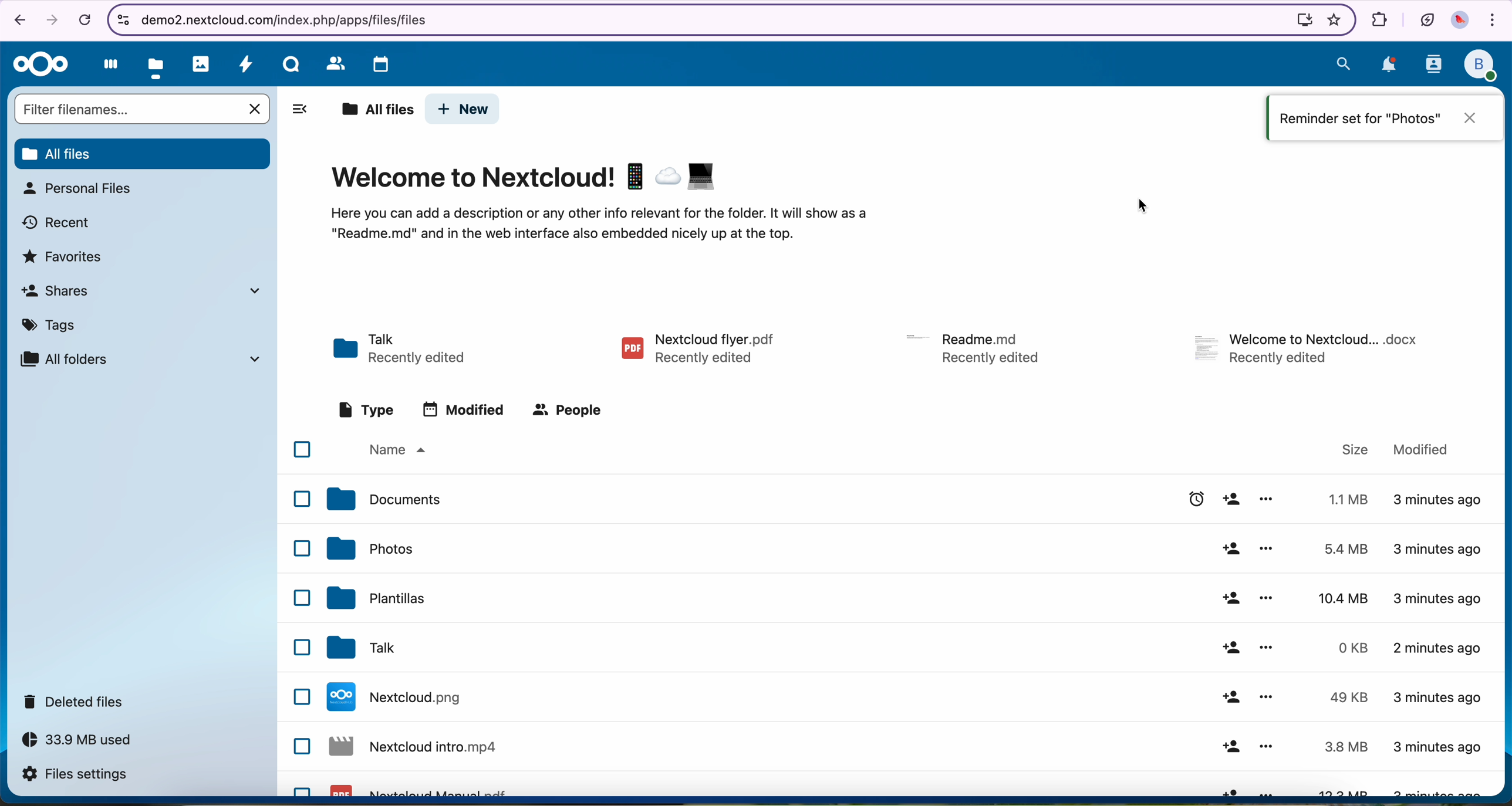  Describe the element at coordinates (1346, 789) in the screenshot. I see `13.3` at that location.